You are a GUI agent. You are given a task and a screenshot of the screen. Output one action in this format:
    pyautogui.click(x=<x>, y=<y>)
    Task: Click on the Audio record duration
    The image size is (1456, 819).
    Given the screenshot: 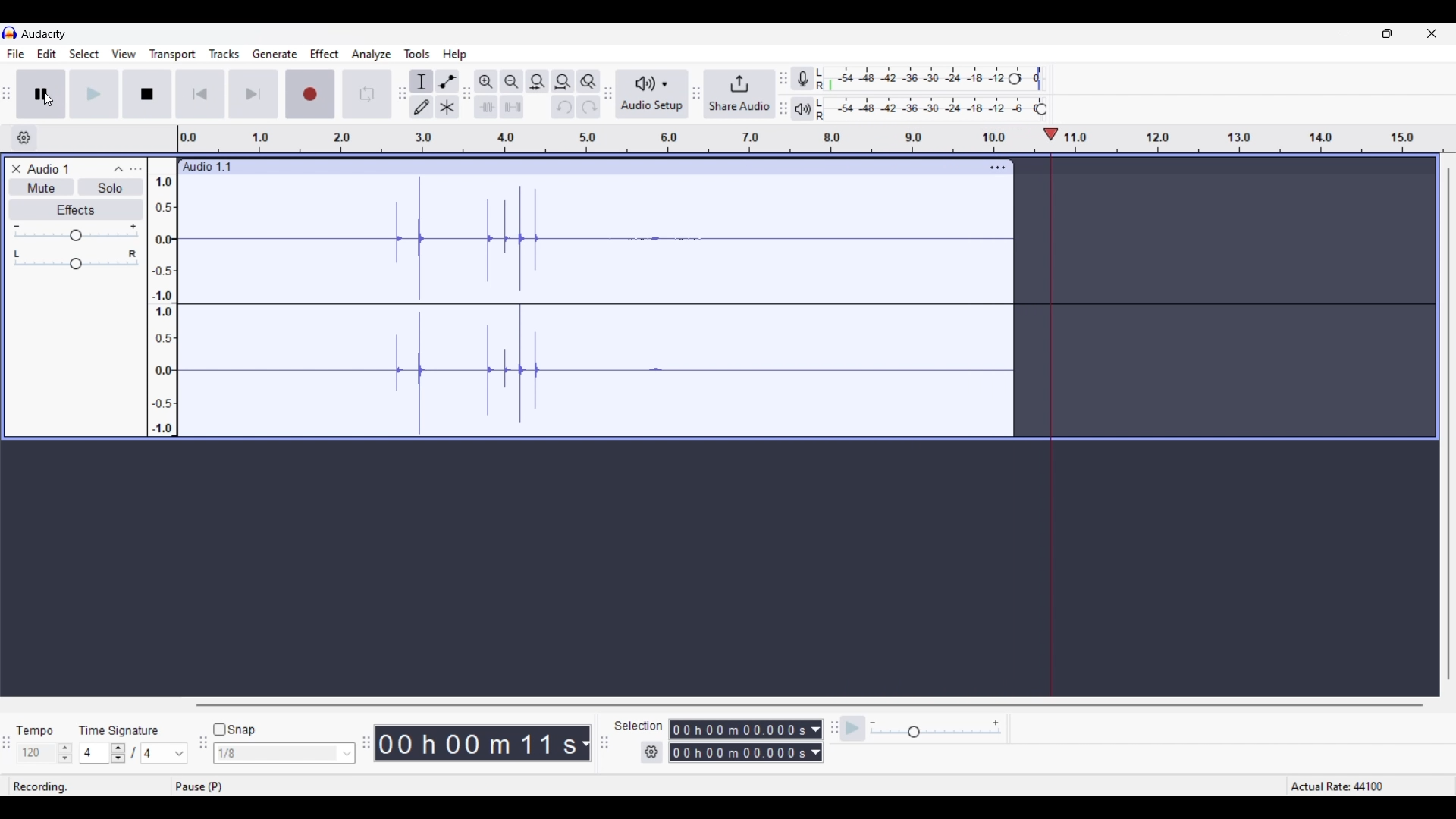 What is the action you would take?
    pyautogui.click(x=478, y=744)
    